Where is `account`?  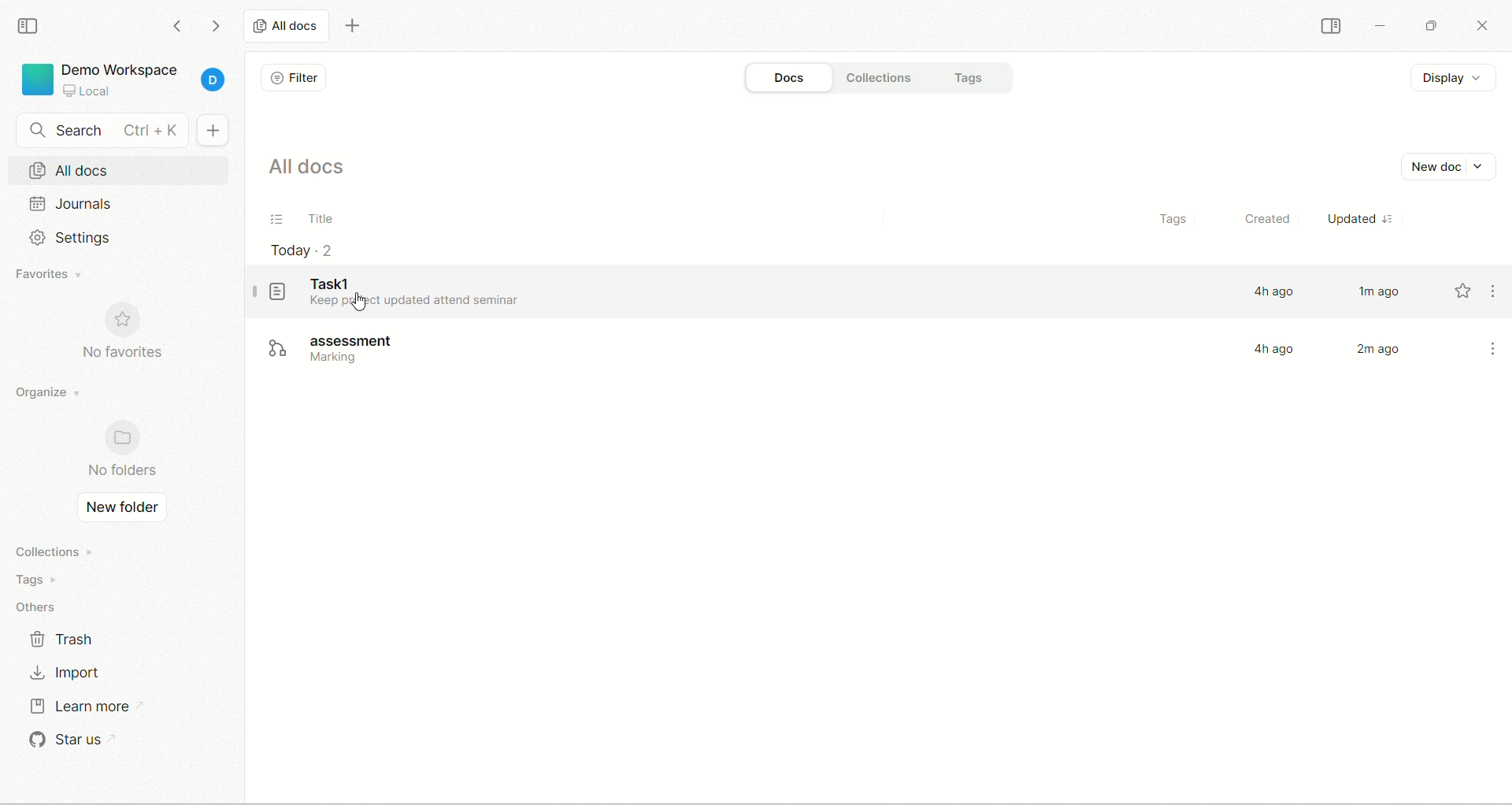 account is located at coordinates (213, 81).